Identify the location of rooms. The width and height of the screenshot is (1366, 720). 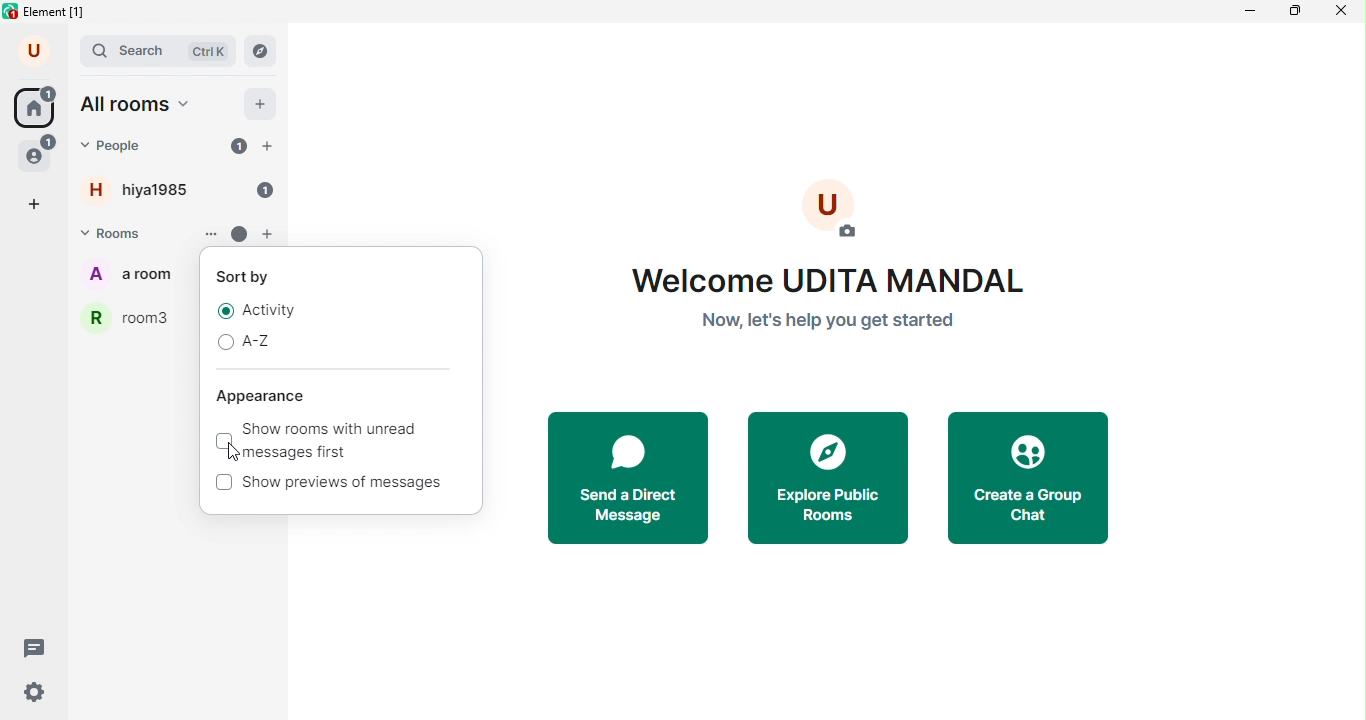
(120, 232).